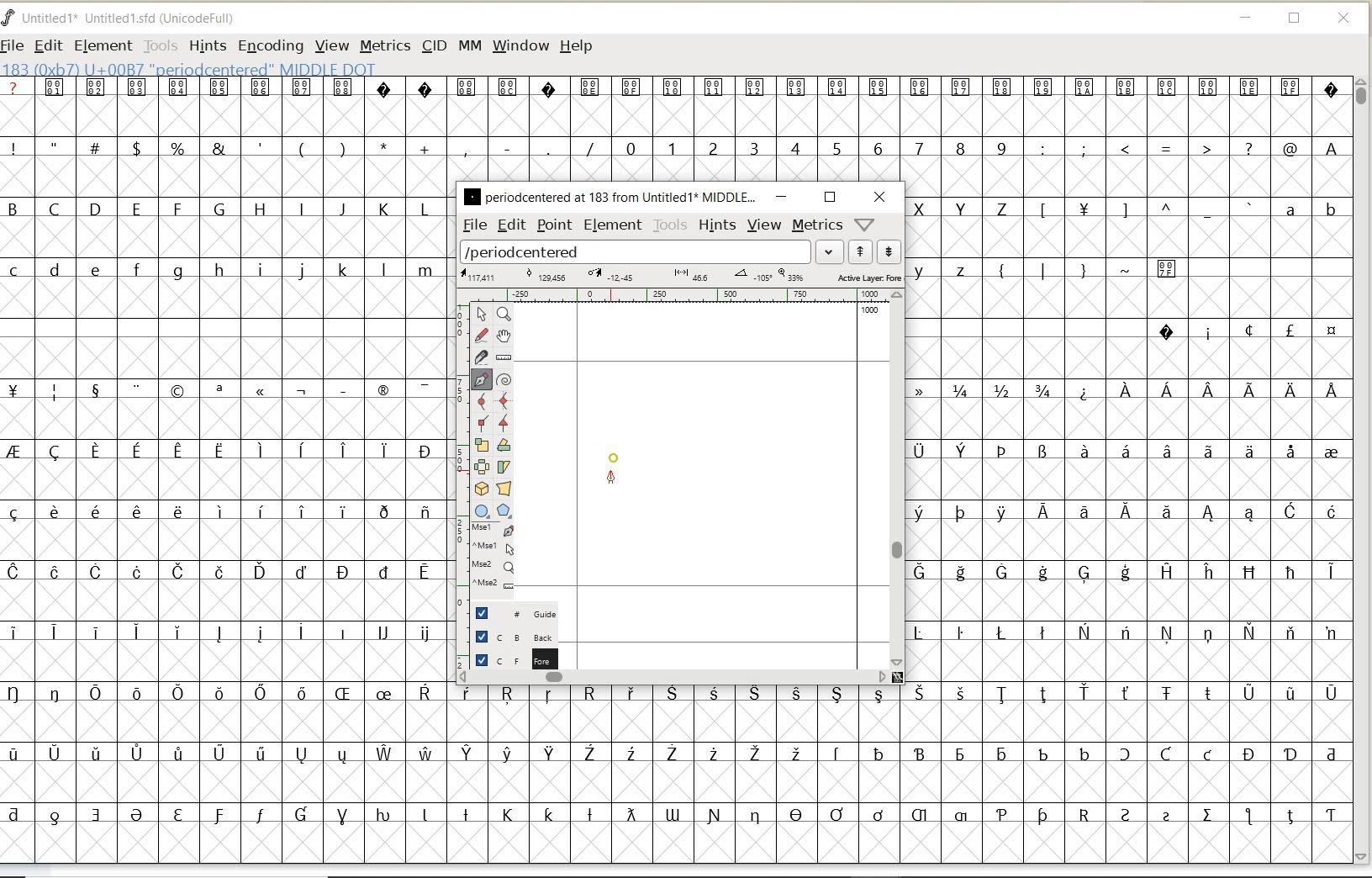 The width and height of the screenshot is (1372, 878). What do you see at coordinates (812, 147) in the screenshot?
I see `numbers` at bounding box center [812, 147].